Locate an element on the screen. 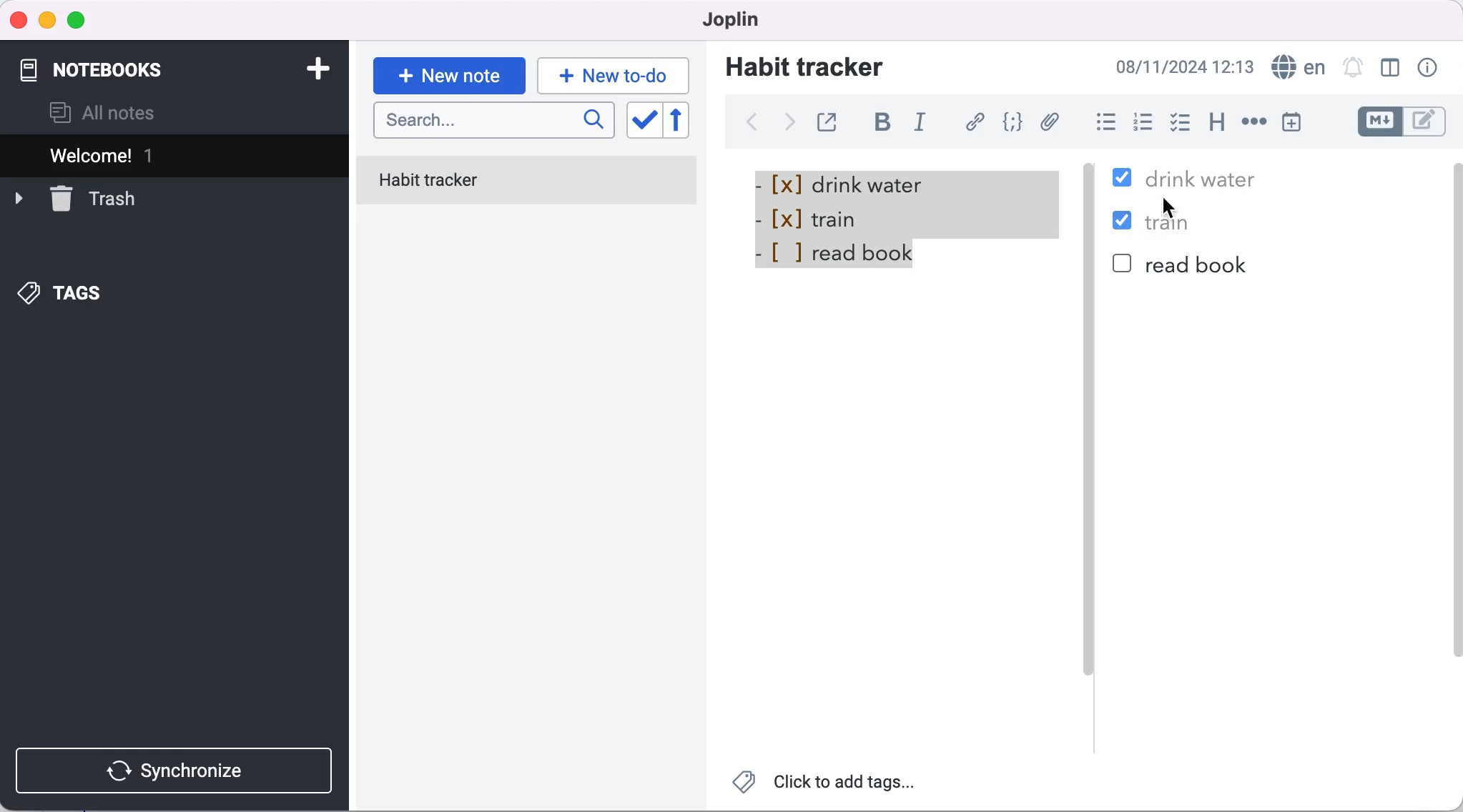 The image size is (1463, 812). read book is located at coordinates (1198, 264).